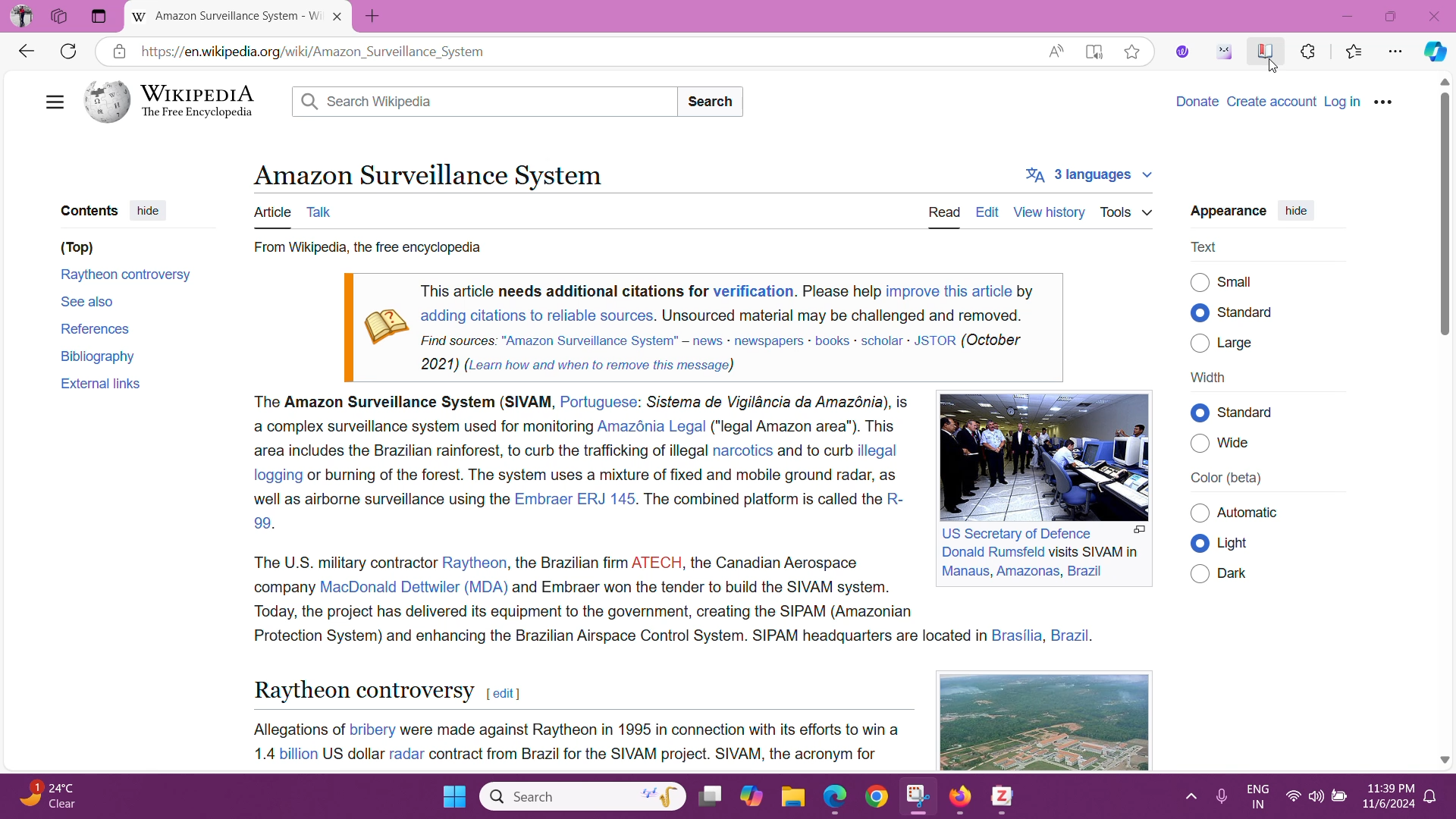 This screenshot has width=1456, height=819. Describe the element at coordinates (535, 315) in the screenshot. I see `adding citations to reliable sources` at that location.